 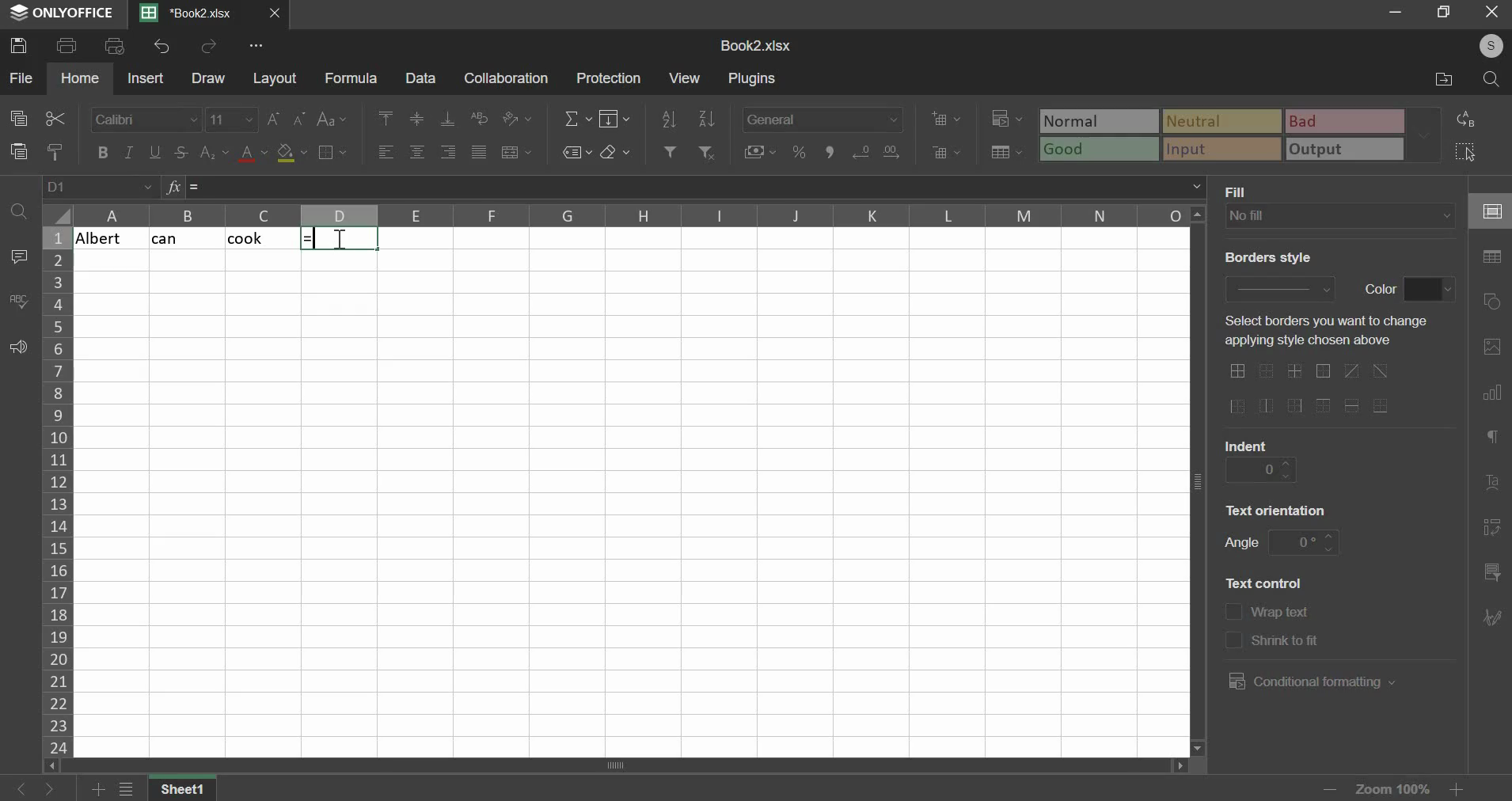 I want to click on formula, so click(x=174, y=188).